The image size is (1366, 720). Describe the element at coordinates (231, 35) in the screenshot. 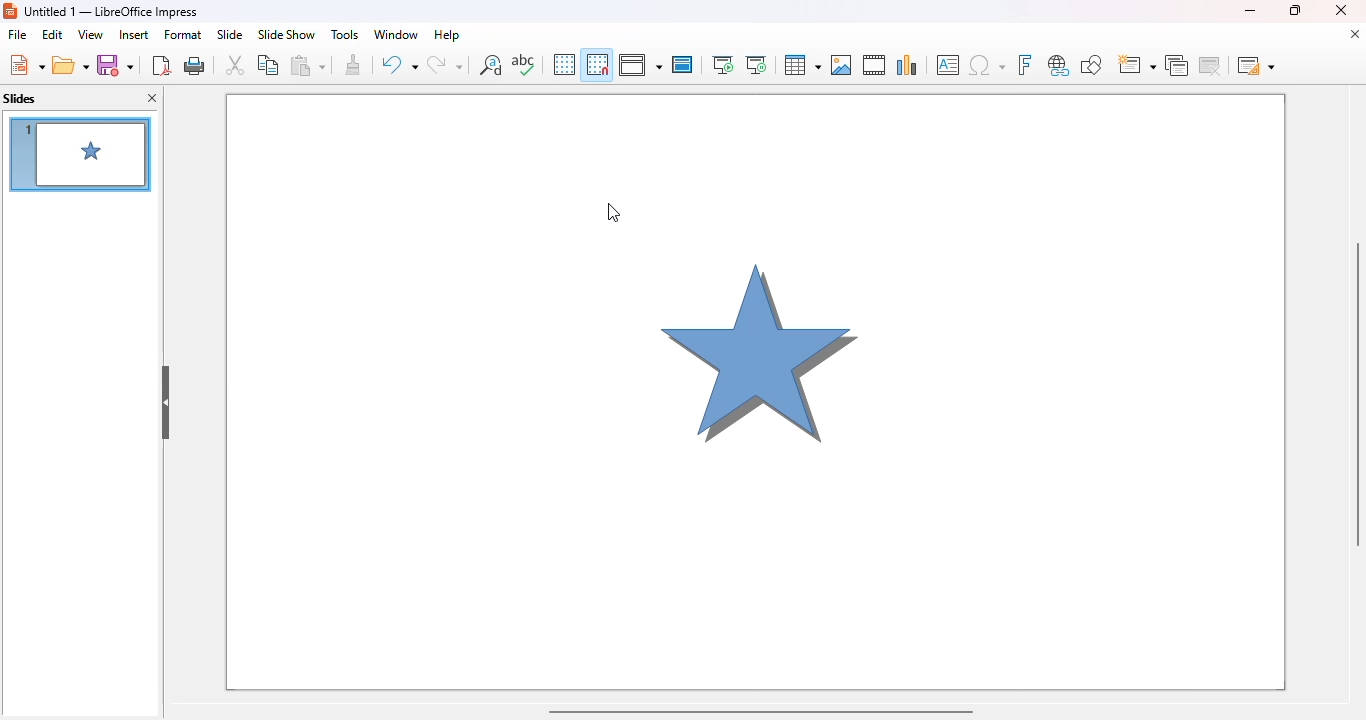

I see `slide` at that location.